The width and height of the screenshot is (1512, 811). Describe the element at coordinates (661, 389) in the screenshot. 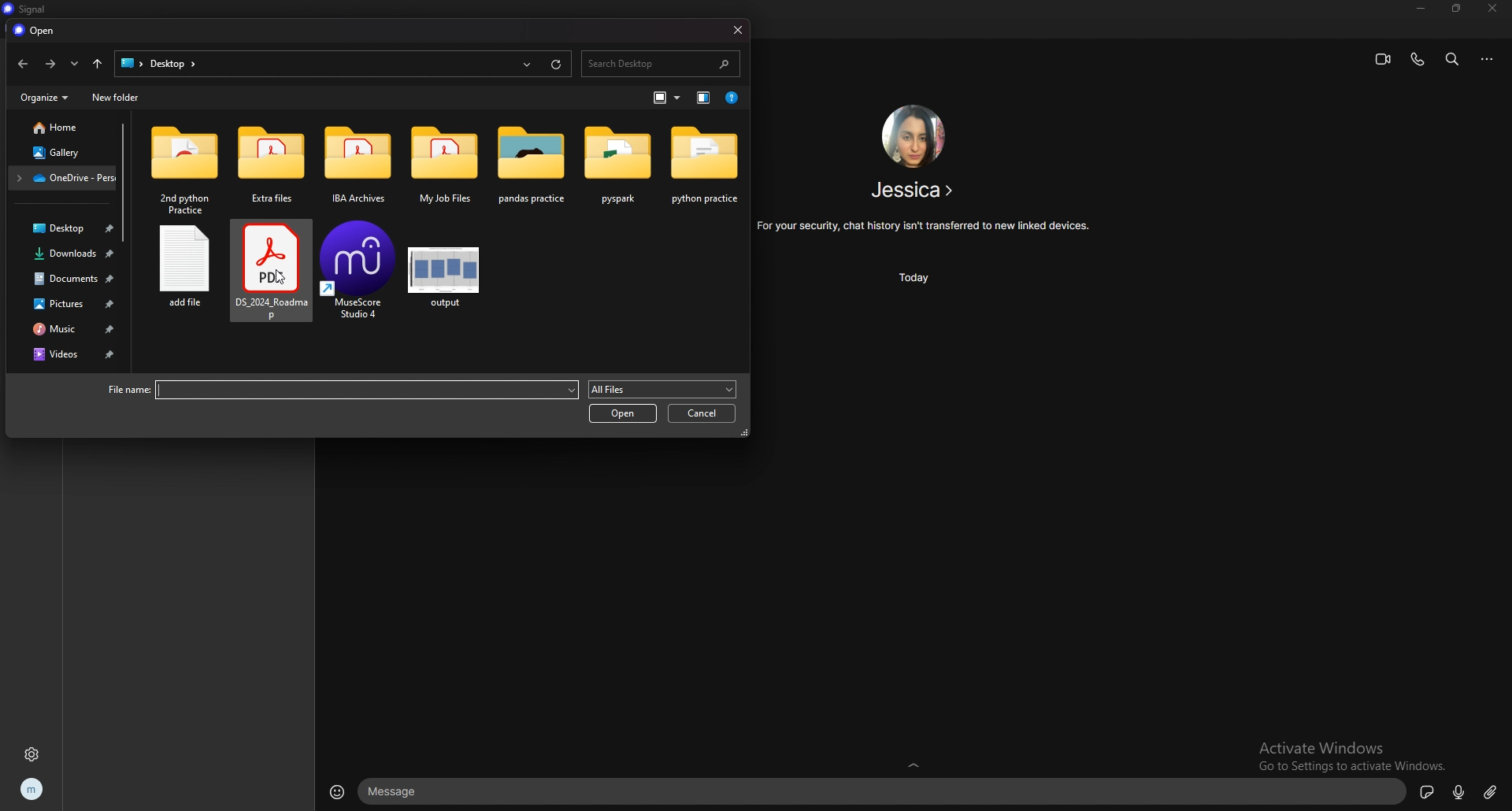

I see `all files` at that location.